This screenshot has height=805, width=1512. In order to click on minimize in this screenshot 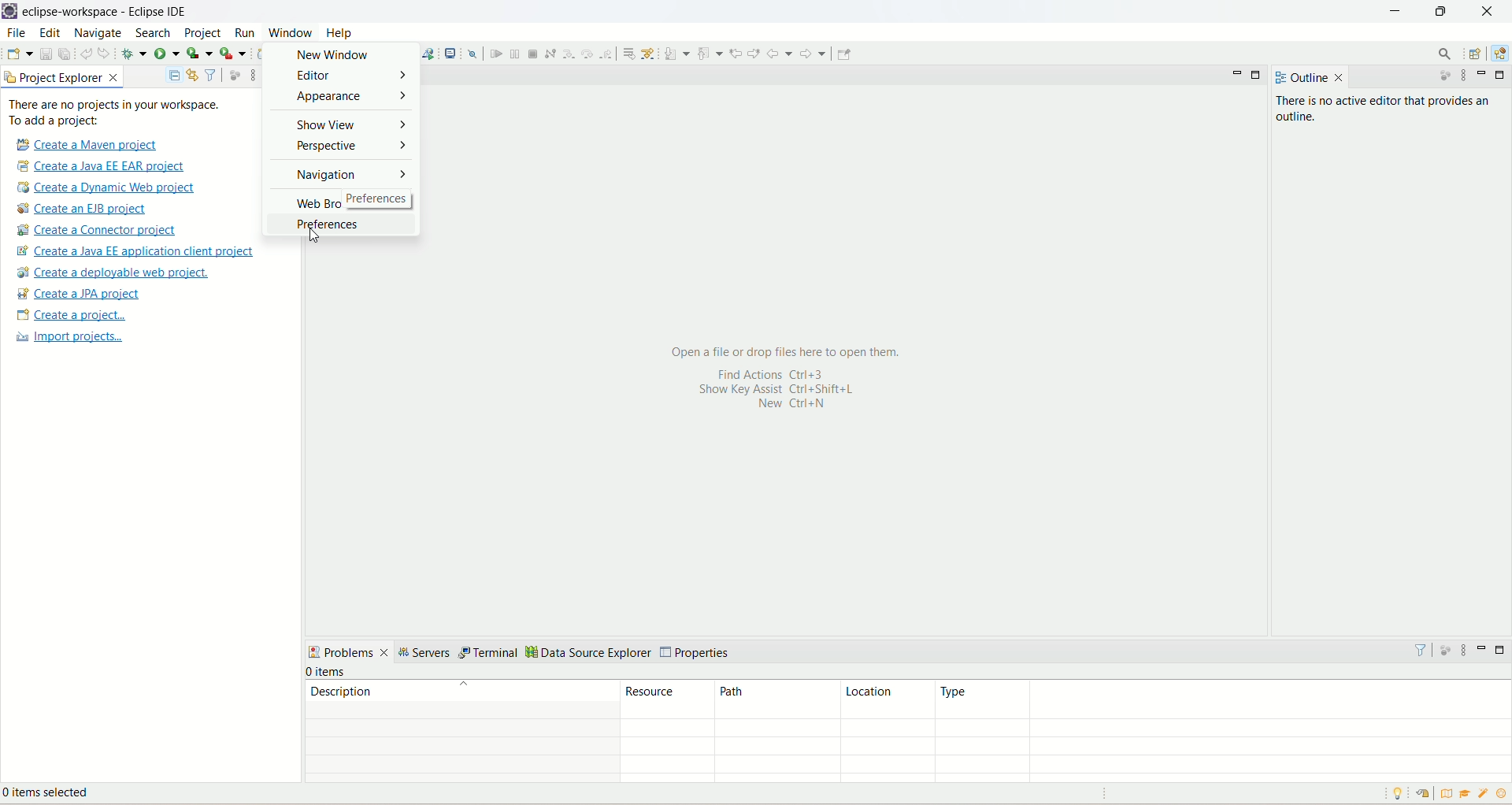, I will do `click(1484, 647)`.